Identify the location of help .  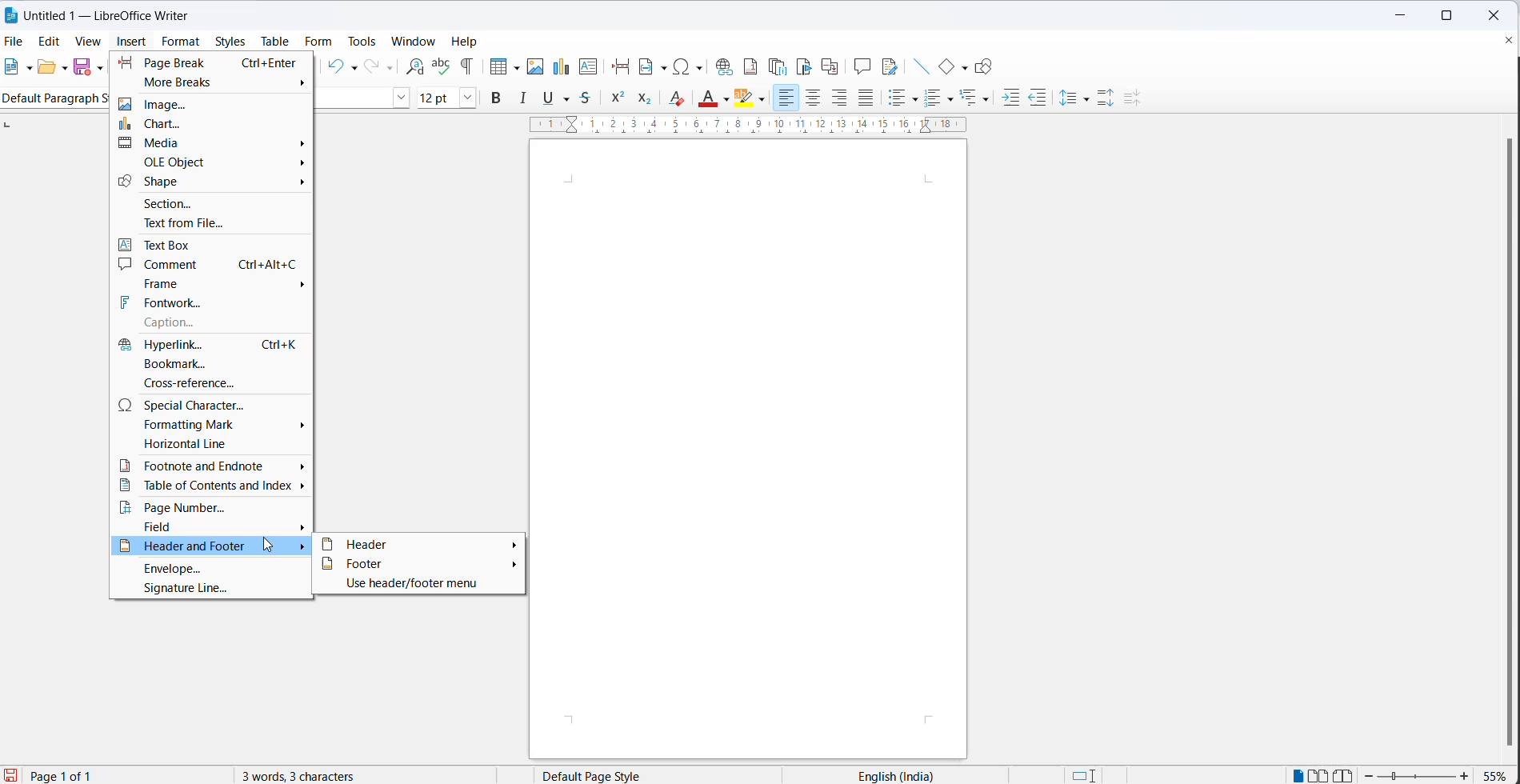
(469, 42).